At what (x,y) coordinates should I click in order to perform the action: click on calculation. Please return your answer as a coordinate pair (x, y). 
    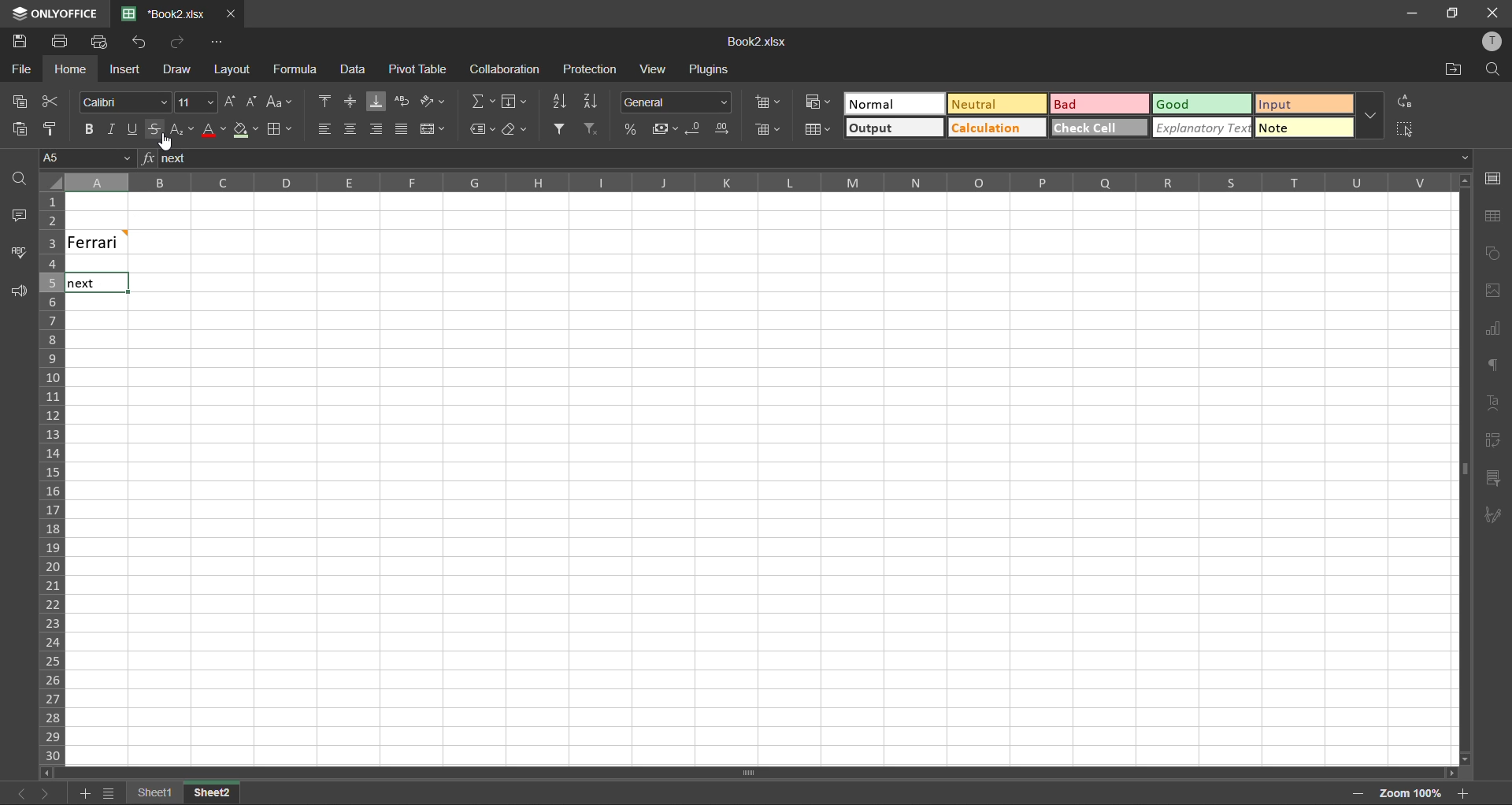
    Looking at the image, I should click on (997, 127).